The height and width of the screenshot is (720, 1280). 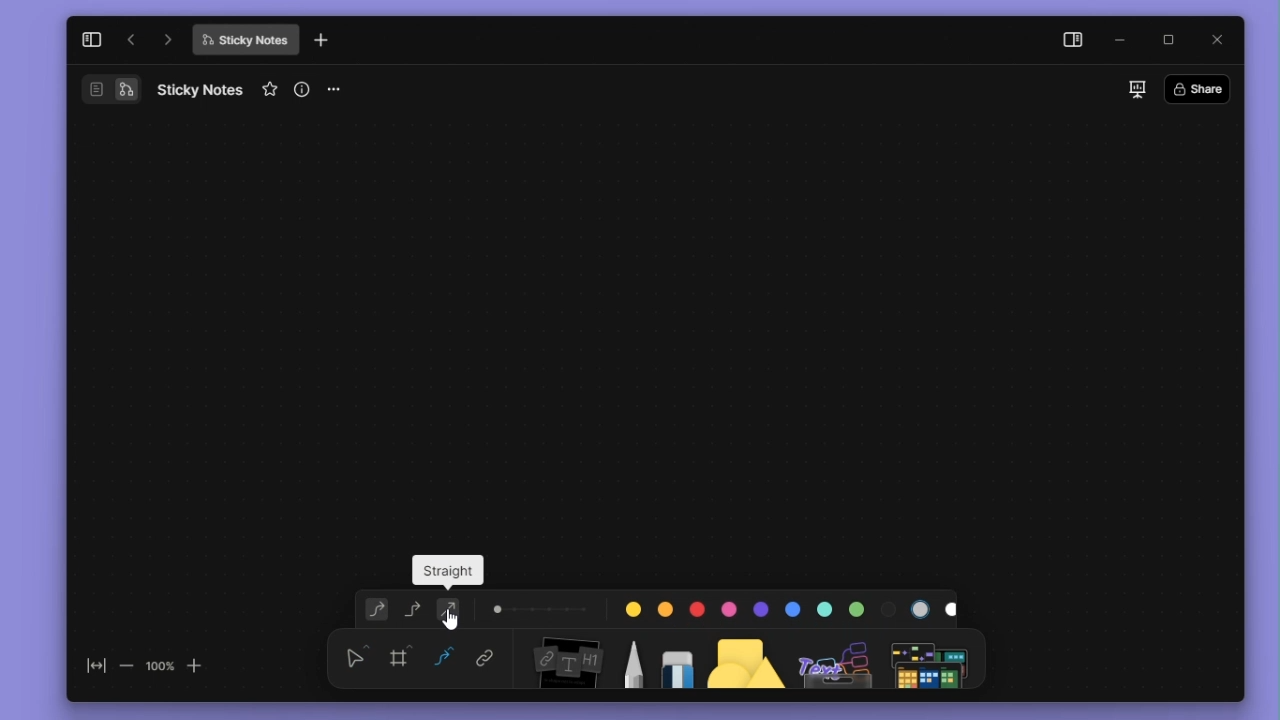 I want to click on note, so click(x=565, y=659).